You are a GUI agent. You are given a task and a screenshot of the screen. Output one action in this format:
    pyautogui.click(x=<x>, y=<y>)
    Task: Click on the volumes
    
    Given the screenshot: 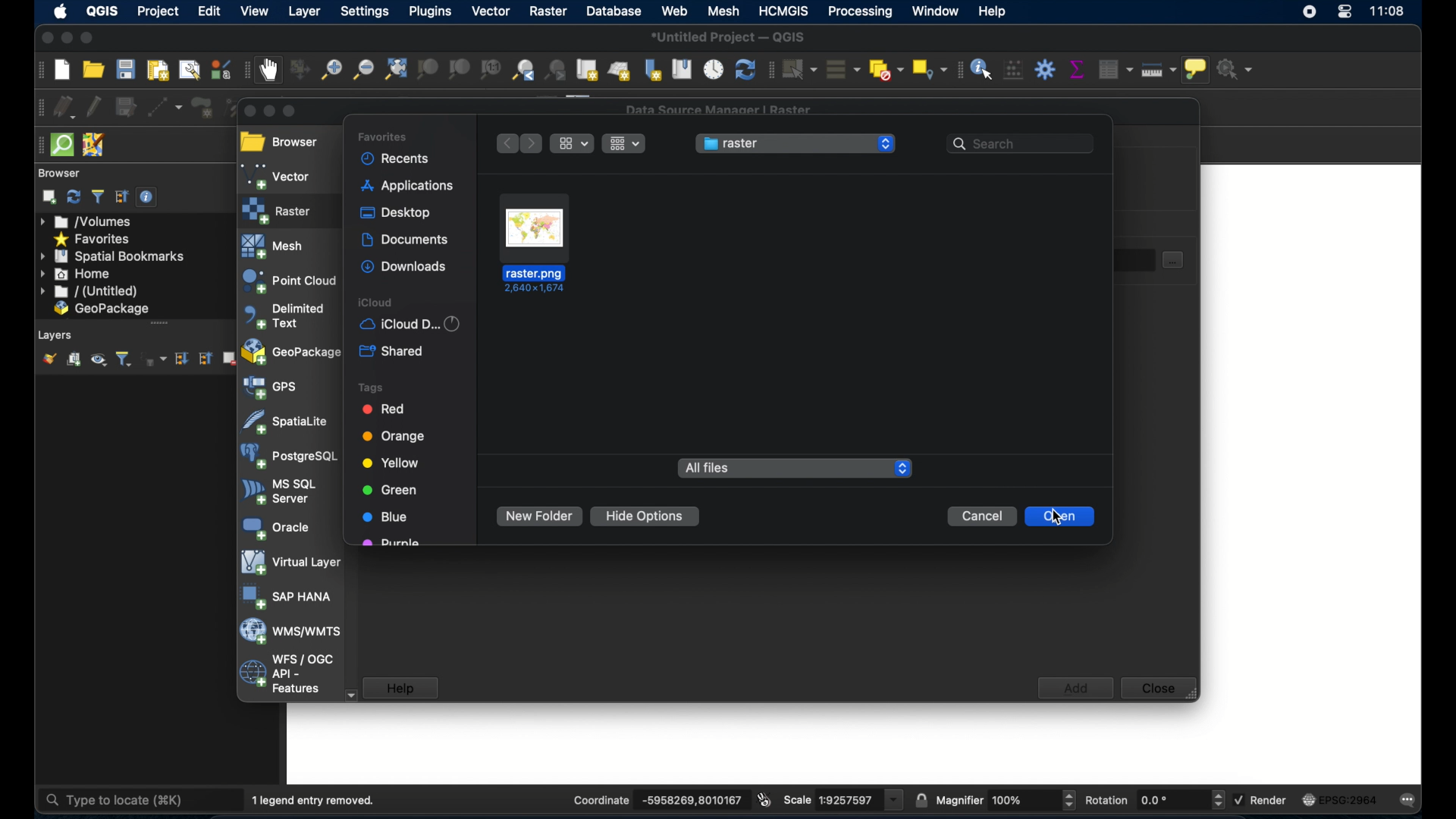 What is the action you would take?
    pyautogui.click(x=87, y=222)
    